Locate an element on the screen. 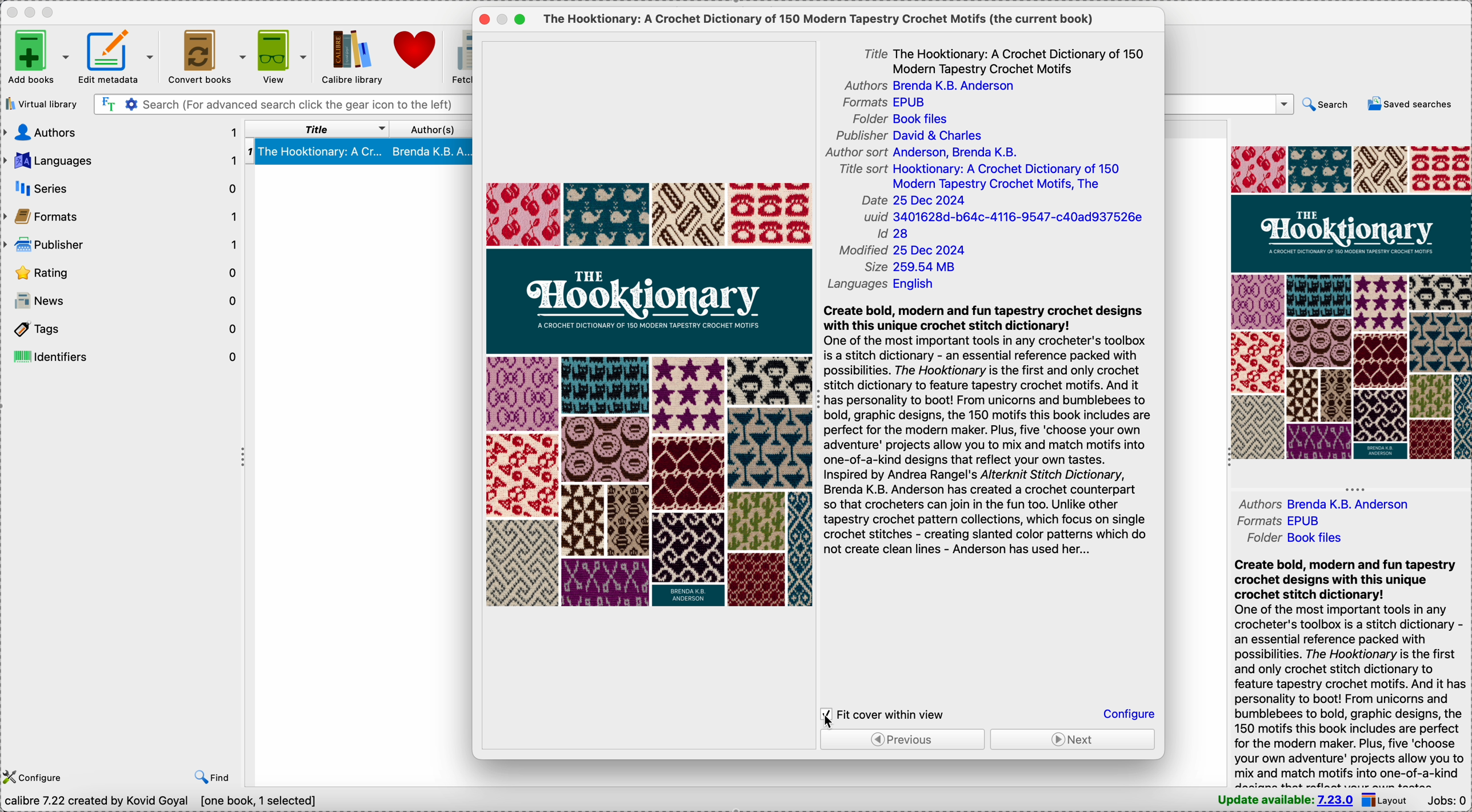  languages is located at coordinates (879, 284).